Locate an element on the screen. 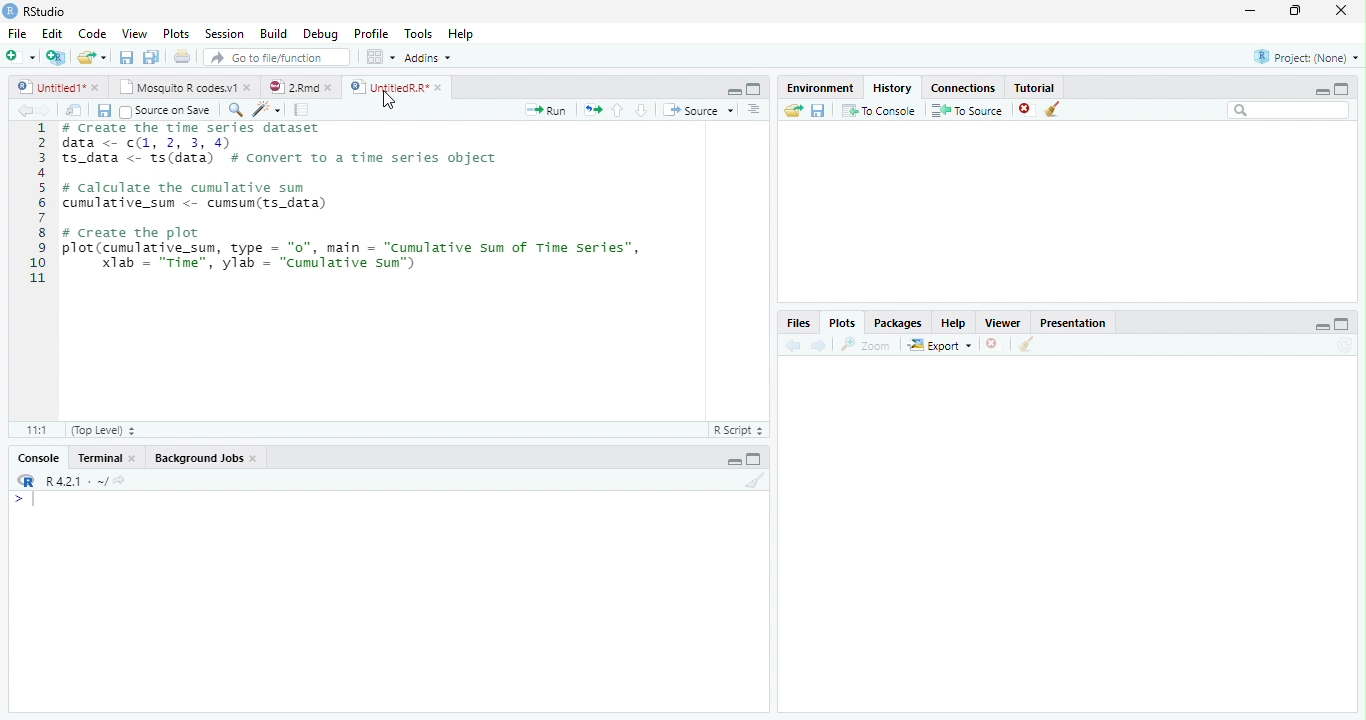  Clear Console is located at coordinates (1026, 346).